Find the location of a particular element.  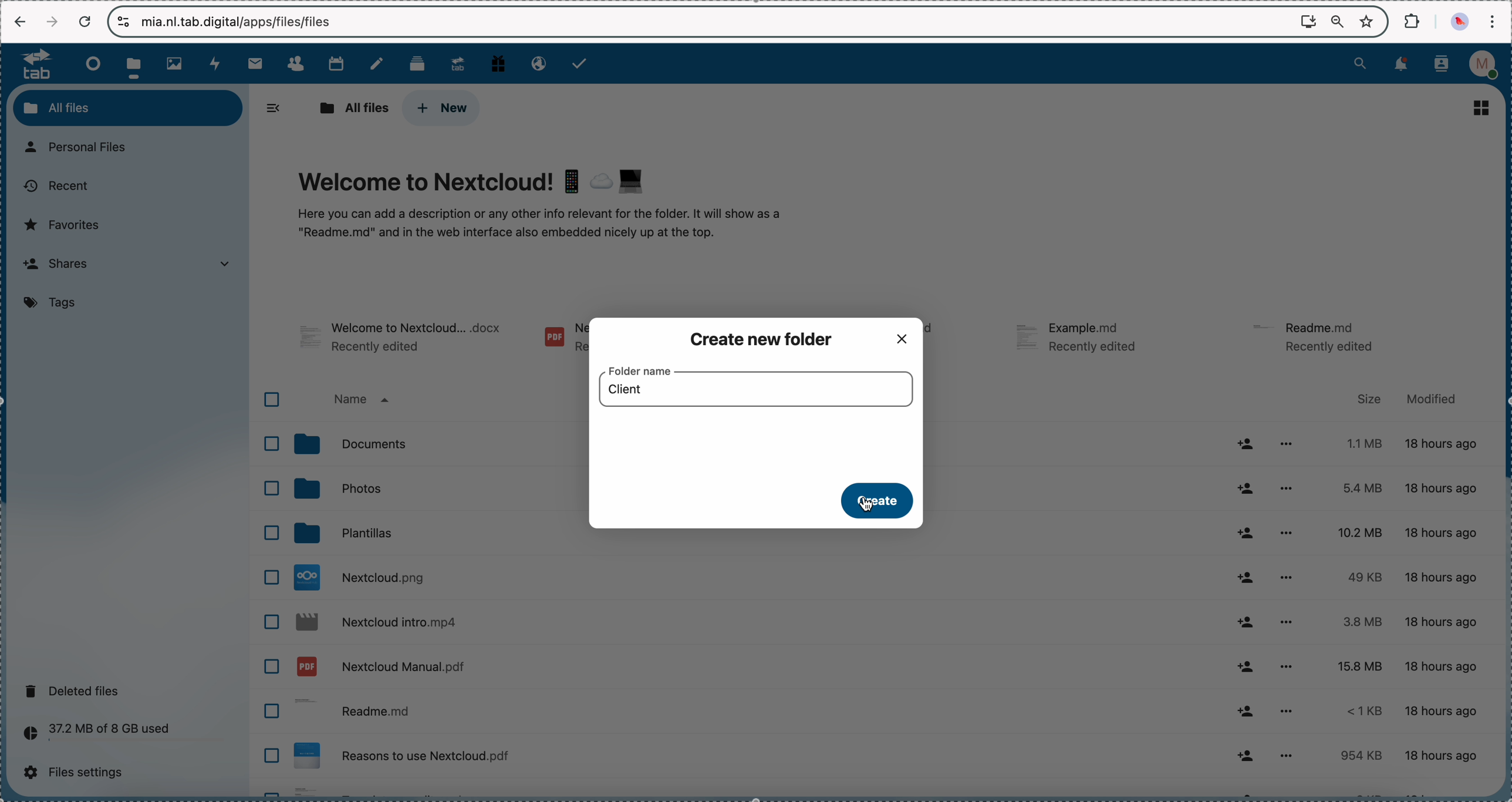

recent is located at coordinates (55, 187).